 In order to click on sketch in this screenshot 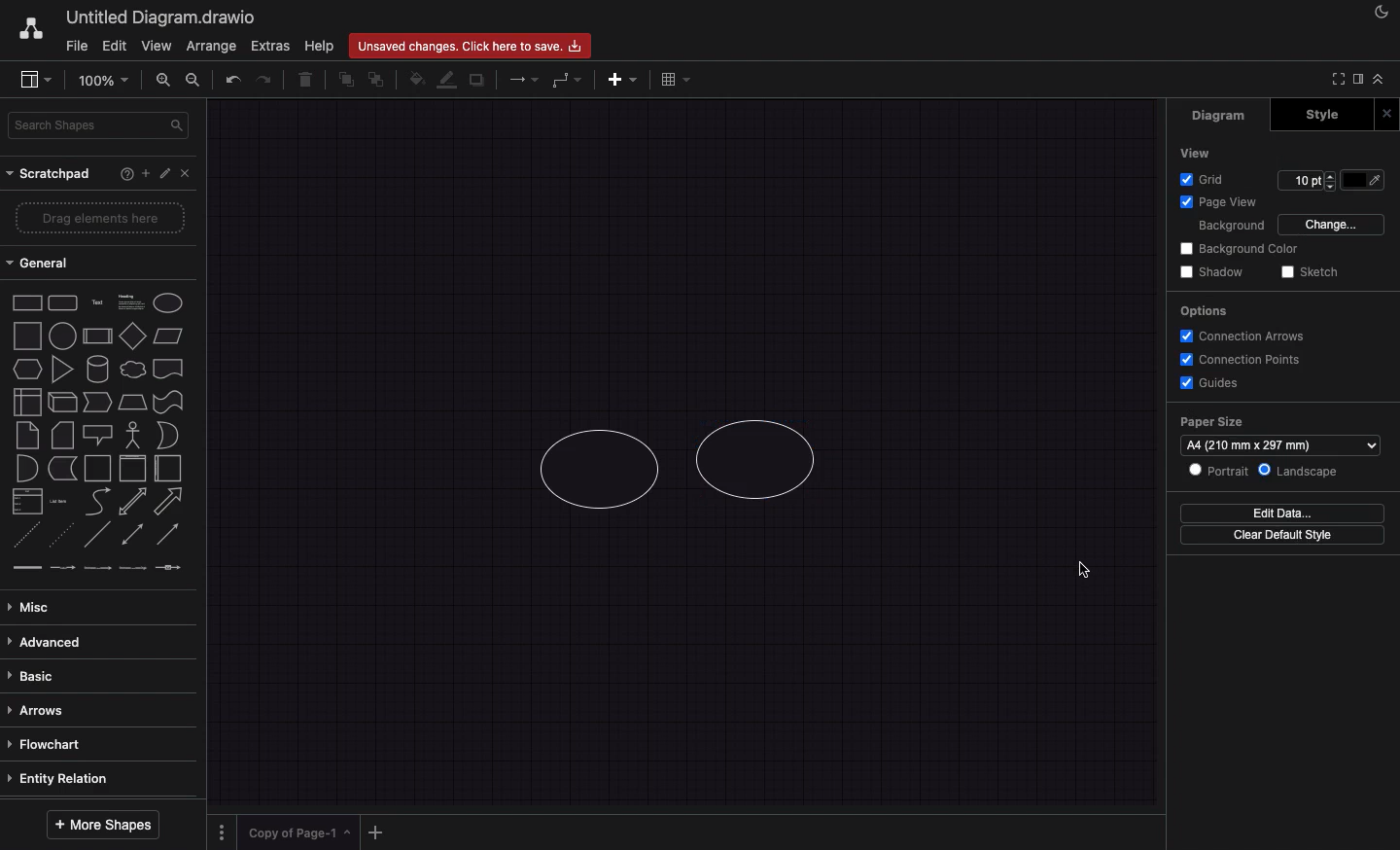, I will do `click(1312, 271)`.